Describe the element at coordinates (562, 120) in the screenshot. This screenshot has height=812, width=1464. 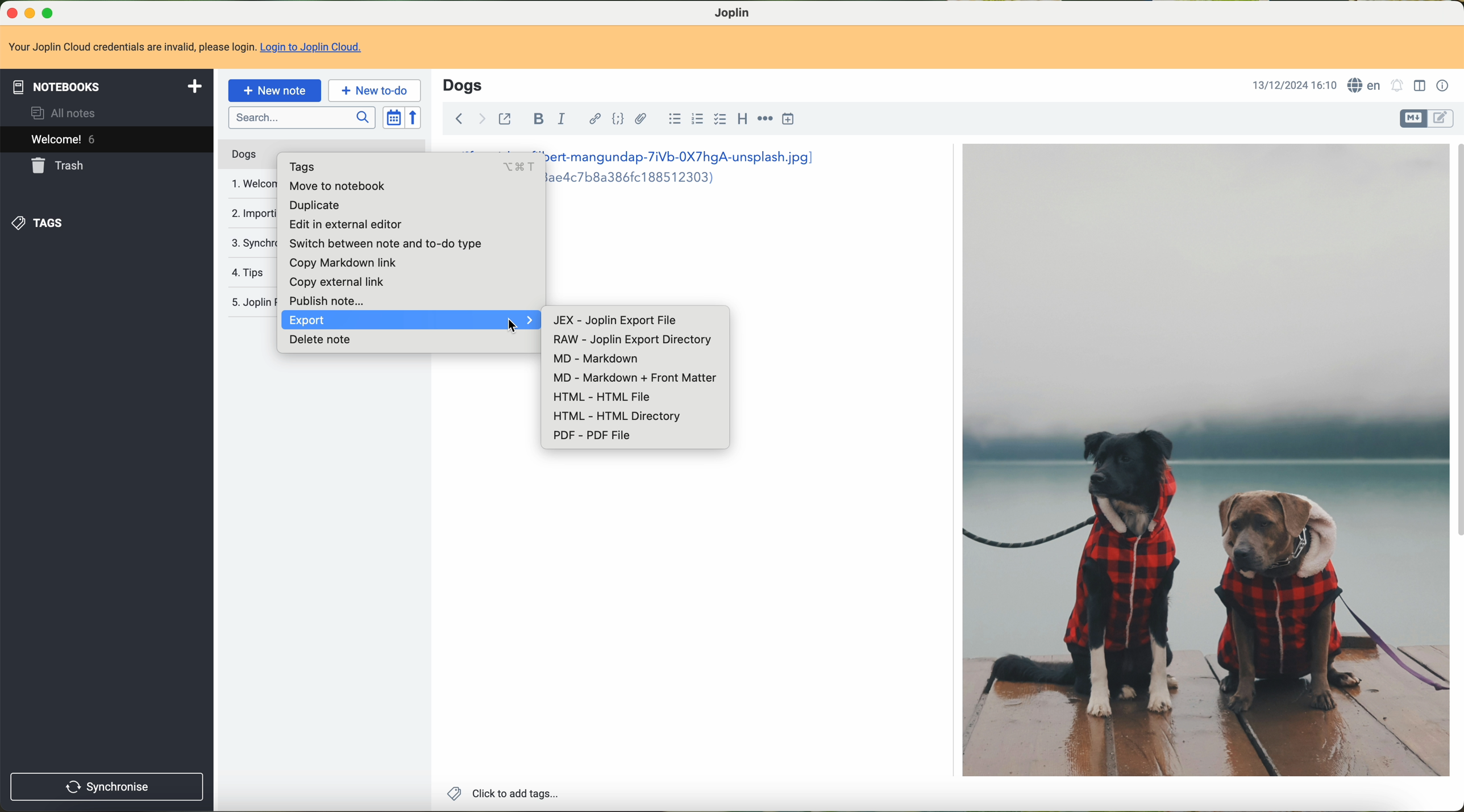
I see `italic` at that location.